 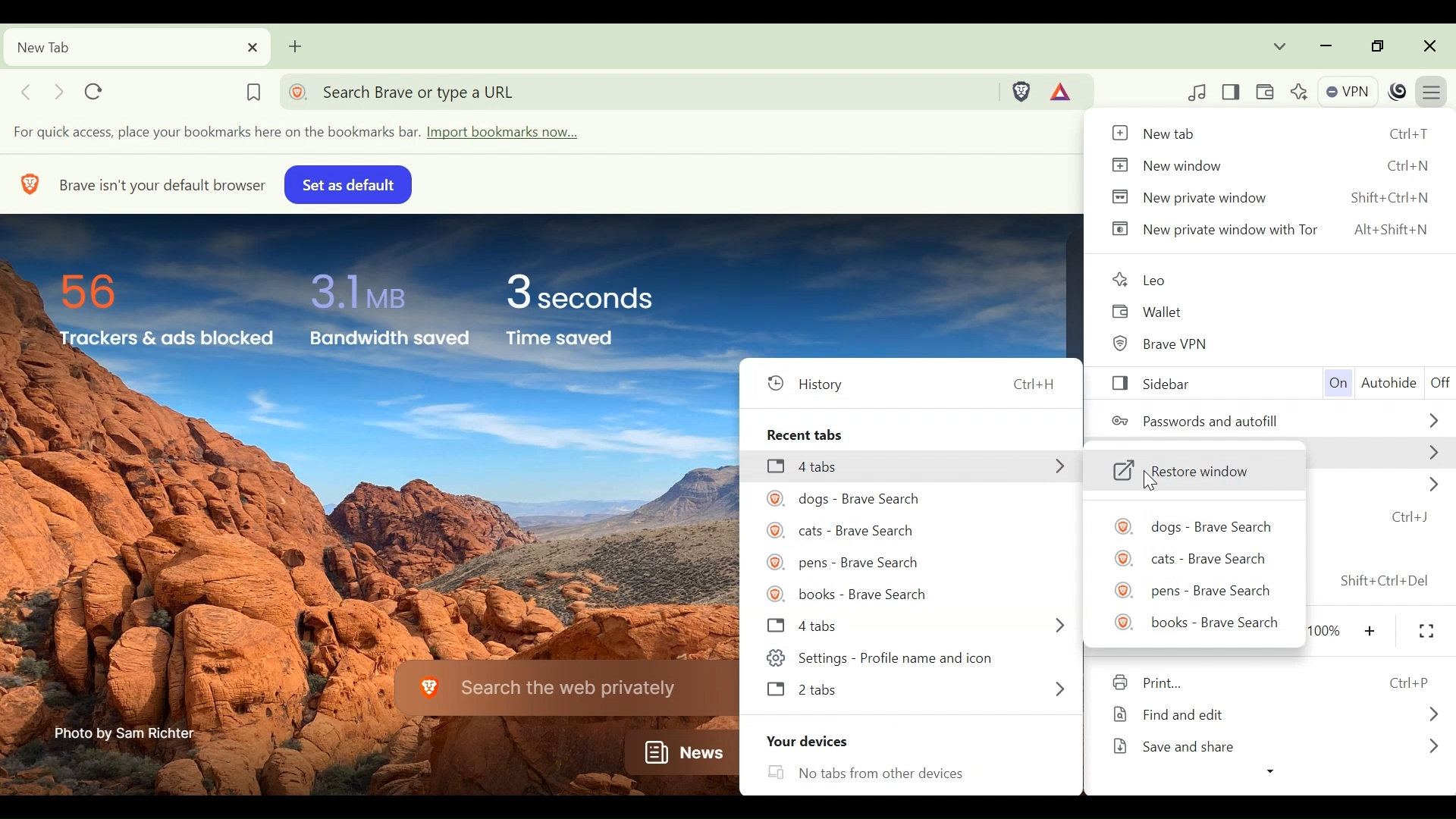 I want to click on restore, so click(x=1373, y=45).